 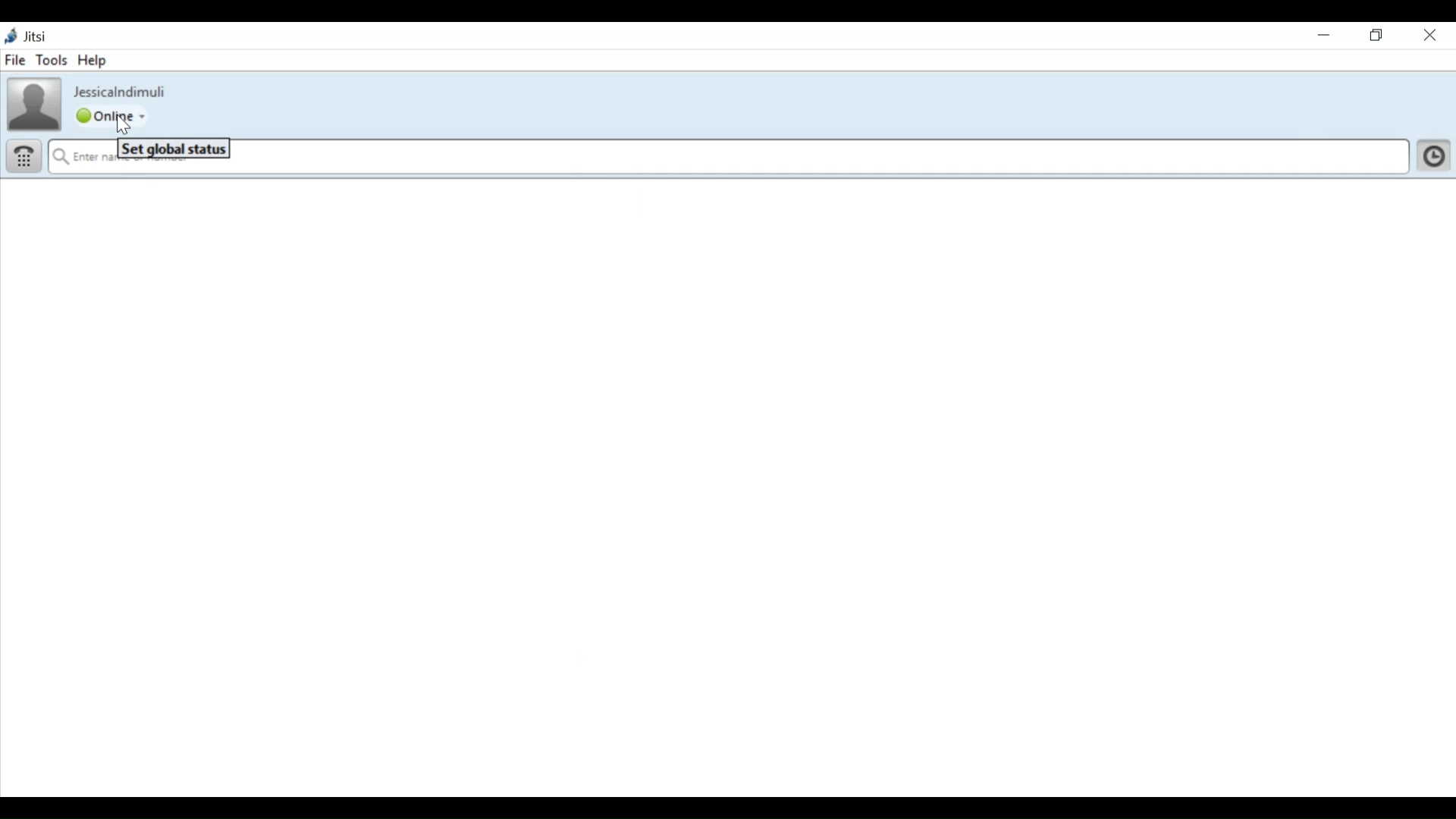 What do you see at coordinates (730, 155) in the screenshot?
I see `Enter name or number` at bounding box center [730, 155].